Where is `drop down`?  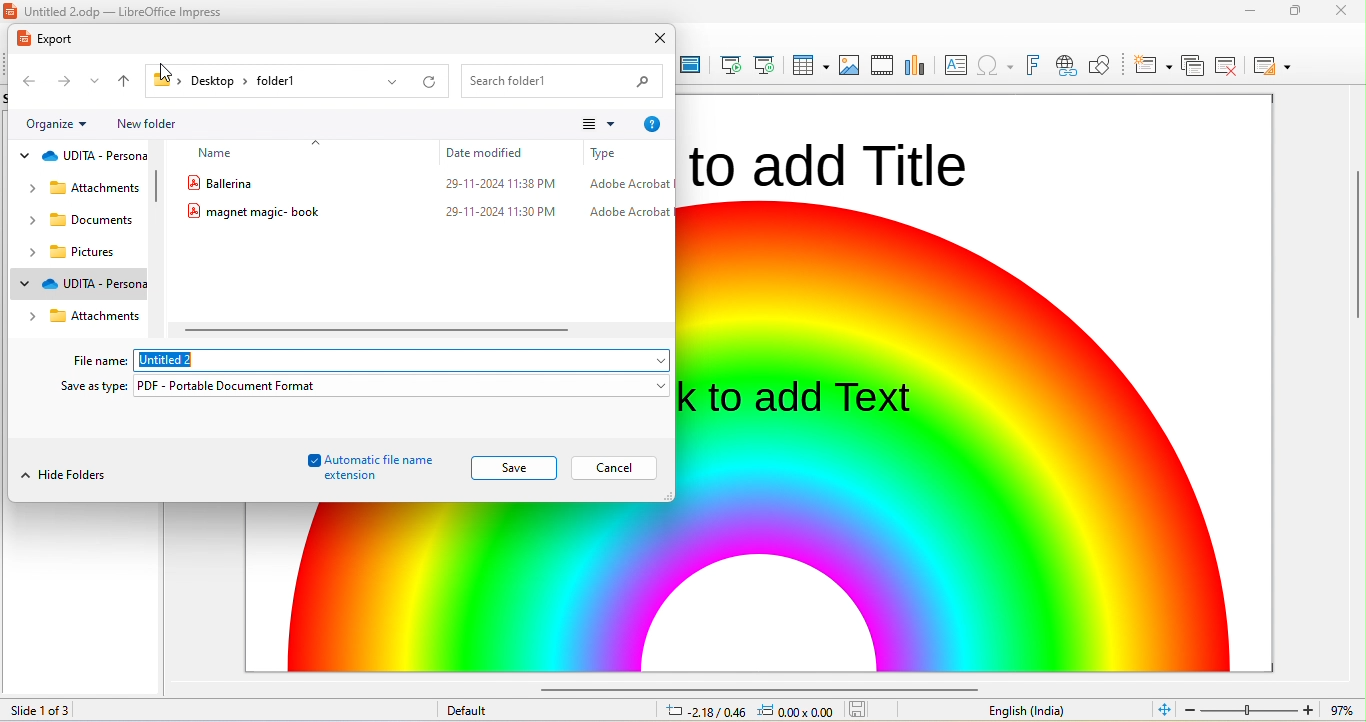
drop down is located at coordinates (89, 123).